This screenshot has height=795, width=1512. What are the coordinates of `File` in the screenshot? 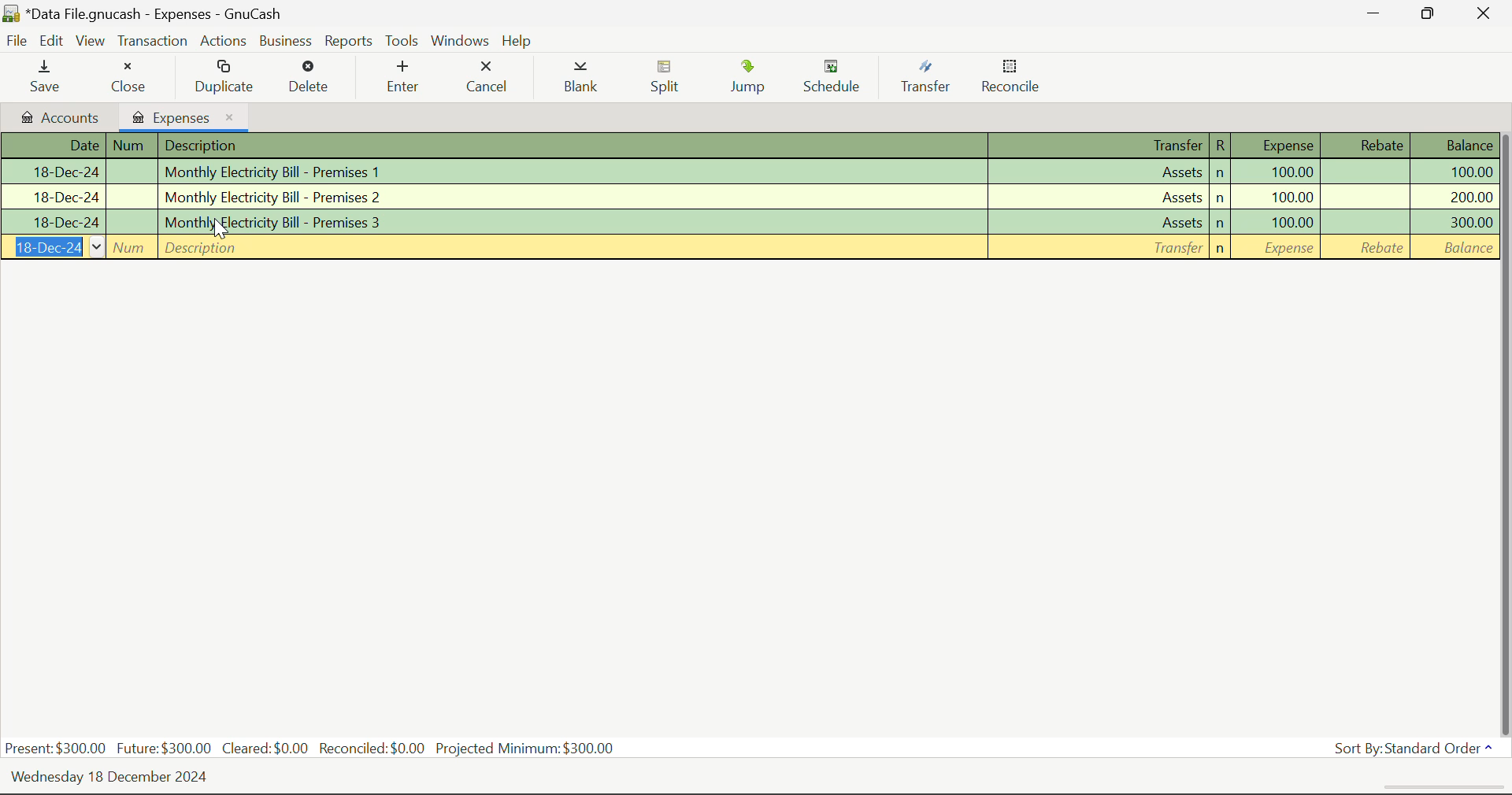 It's located at (19, 39).